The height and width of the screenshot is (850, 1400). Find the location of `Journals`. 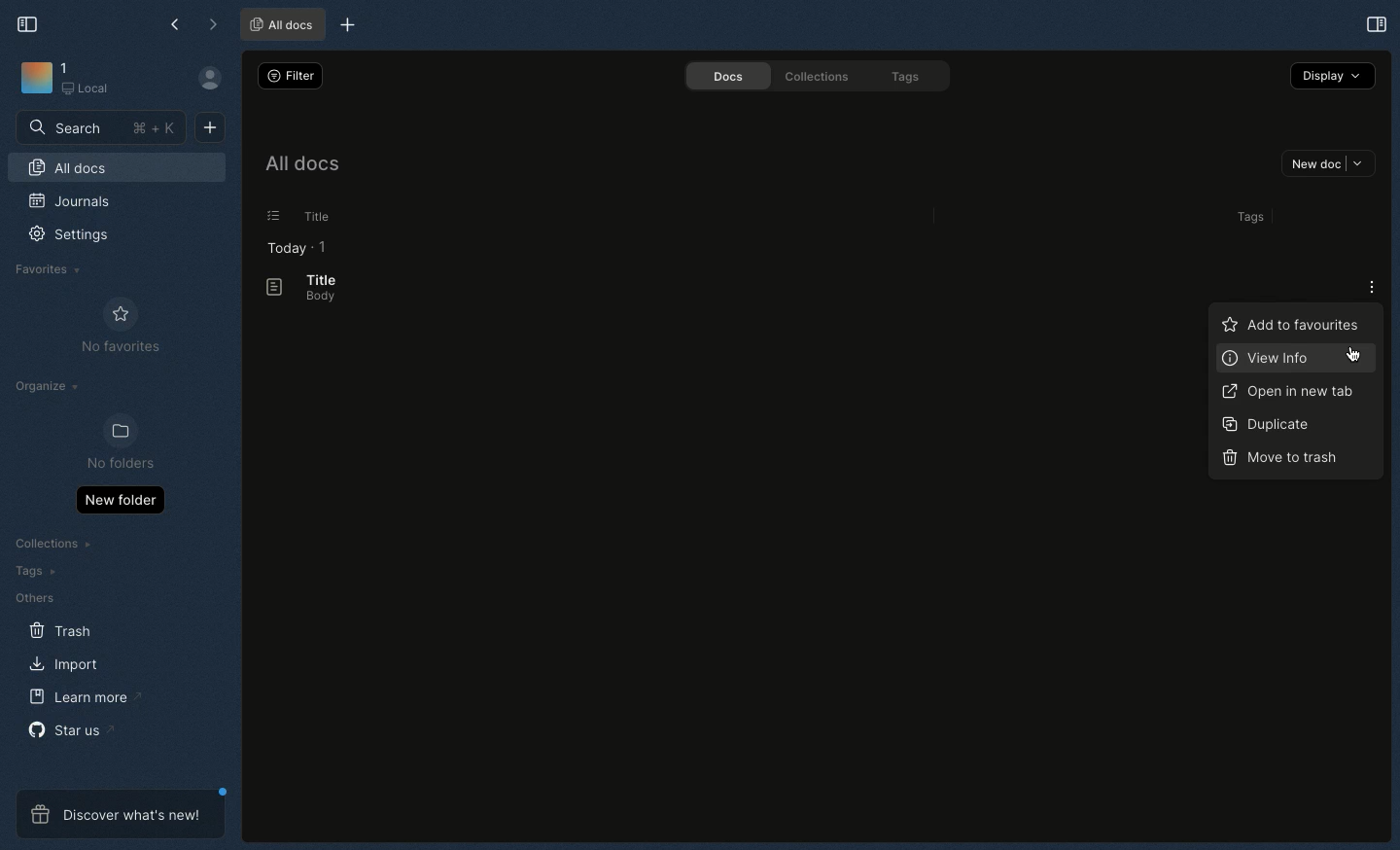

Journals is located at coordinates (71, 203).